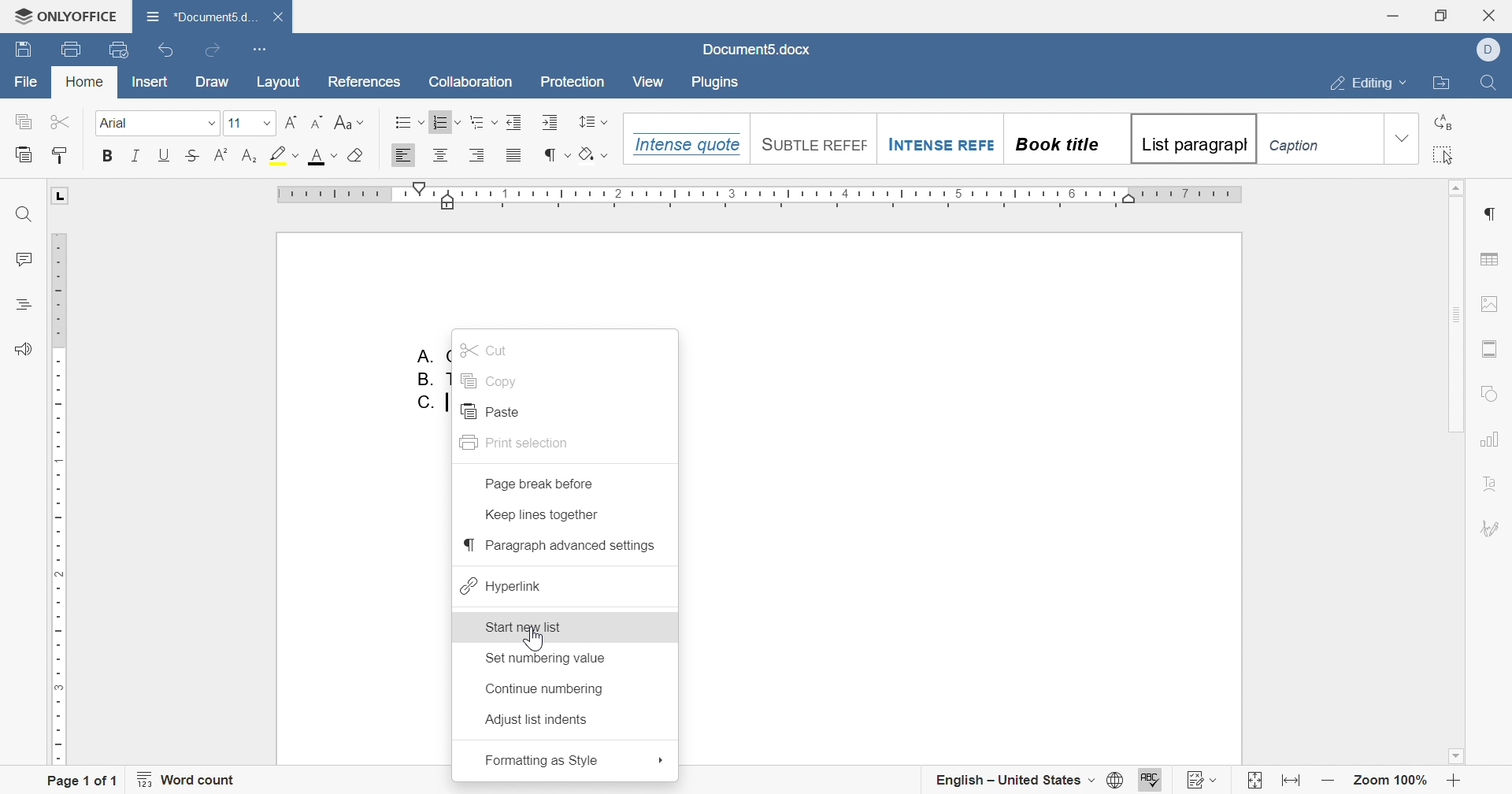  I want to click on Numbering, so click(447, 121).